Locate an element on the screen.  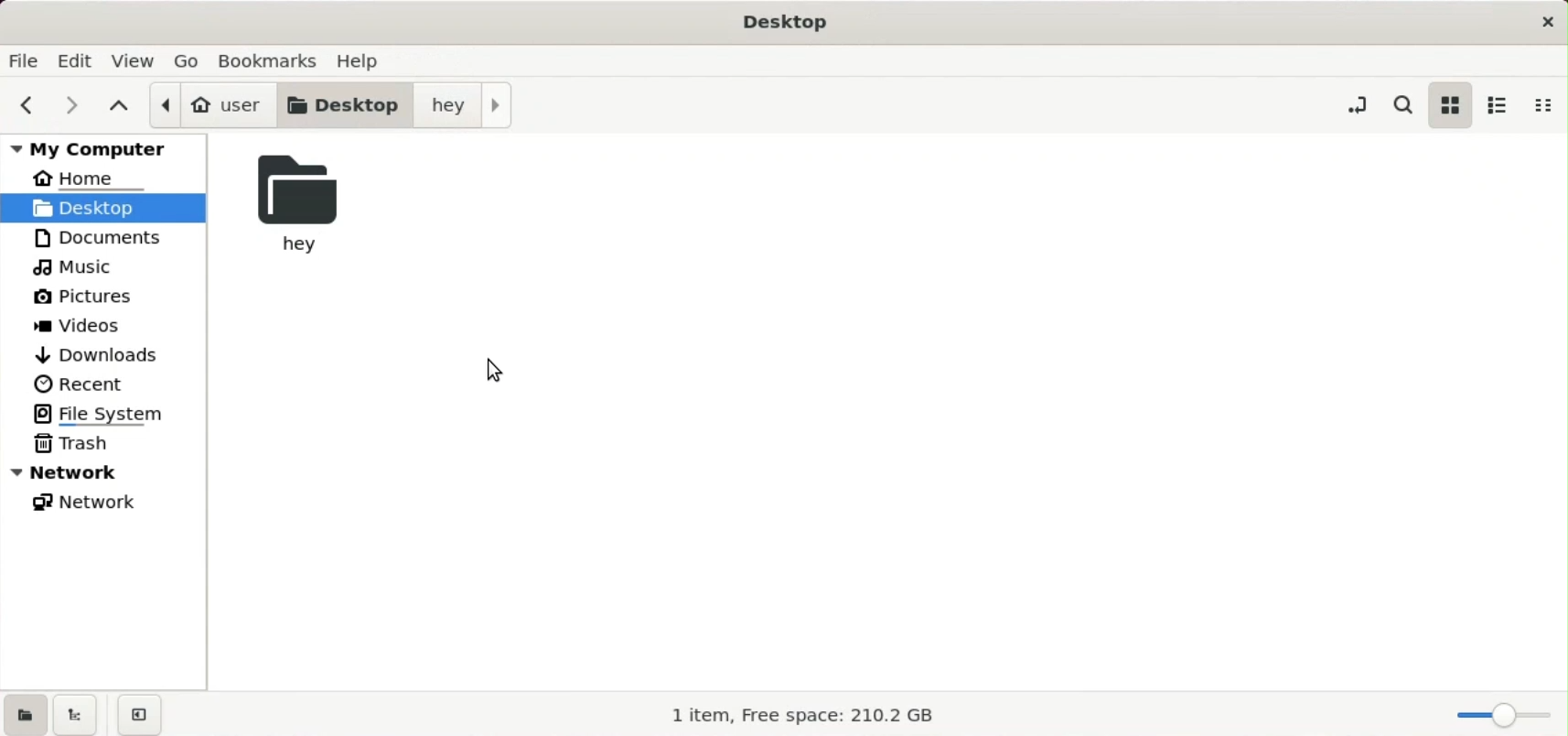
next is located at coordinates (76, 105).